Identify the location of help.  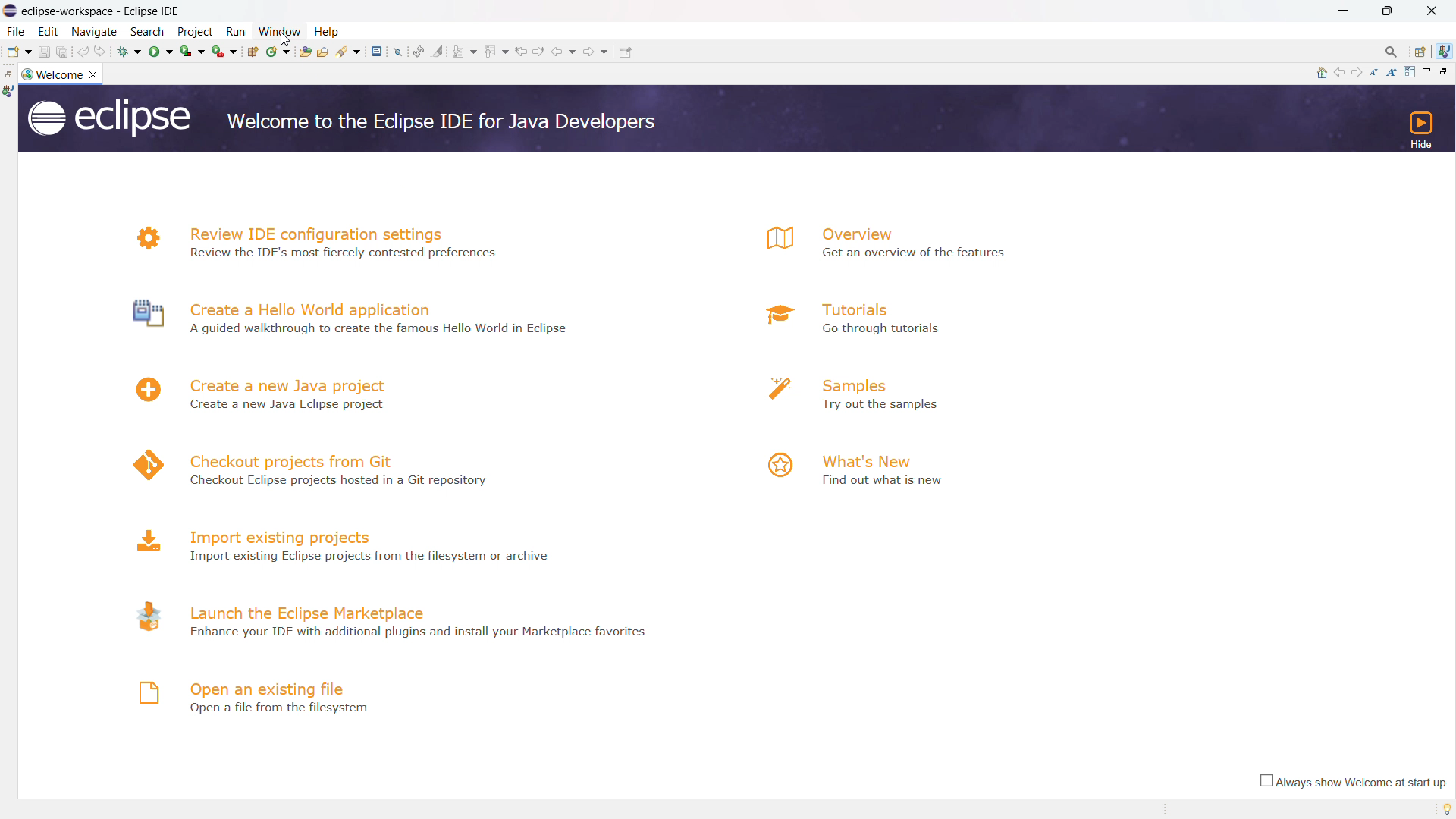
(326, 32).